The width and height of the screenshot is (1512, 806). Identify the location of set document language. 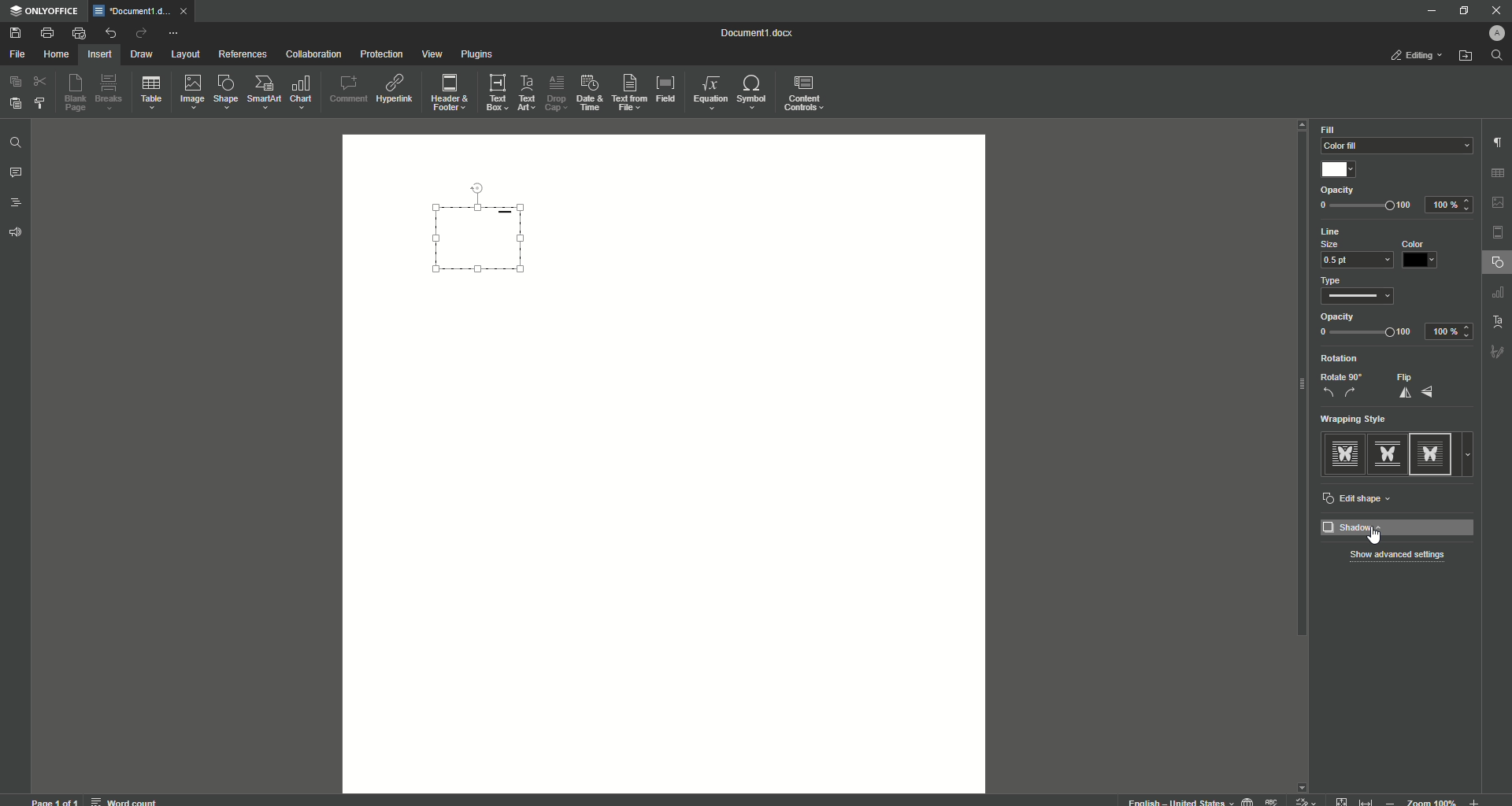
(1247, 800).